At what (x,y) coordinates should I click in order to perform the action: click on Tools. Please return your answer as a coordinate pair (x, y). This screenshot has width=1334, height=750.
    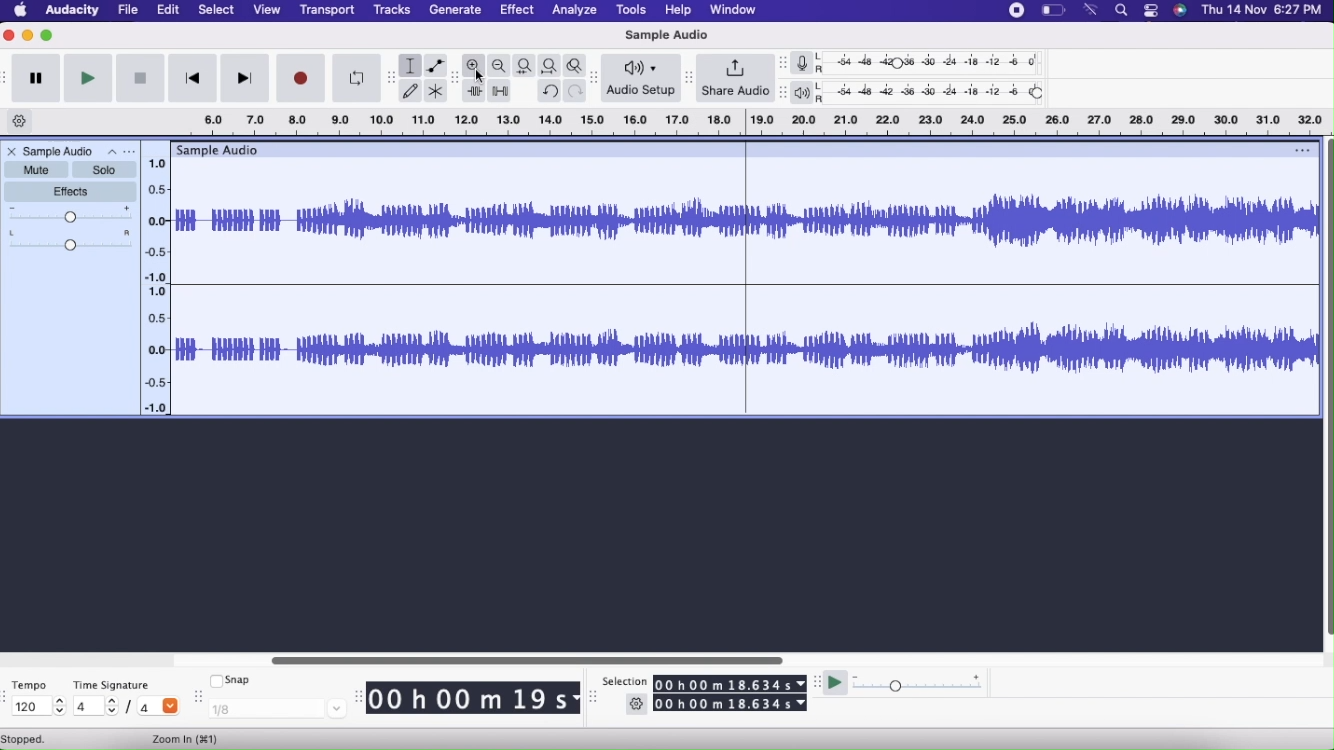
    Looking at the image, I should click on (631, 11).